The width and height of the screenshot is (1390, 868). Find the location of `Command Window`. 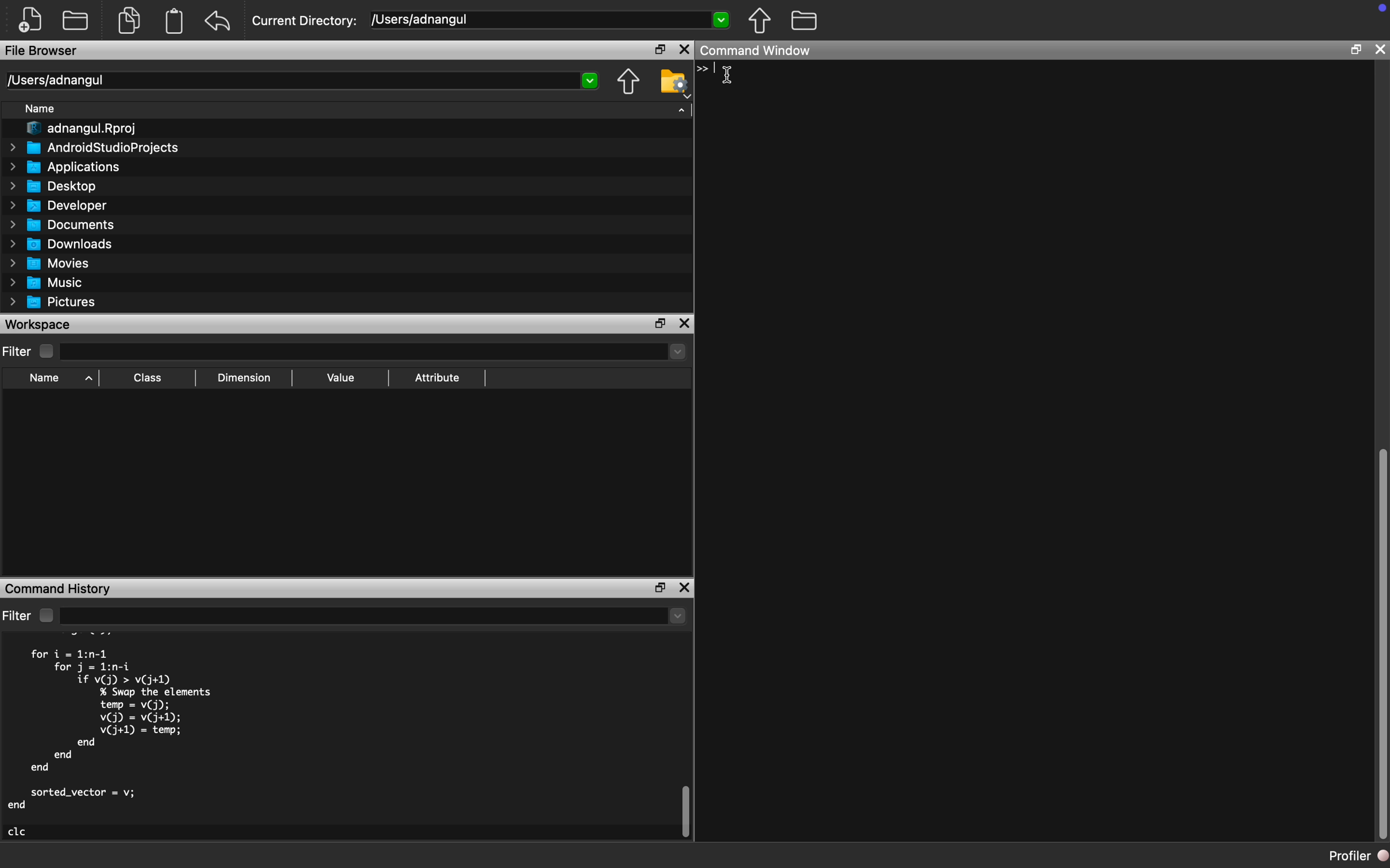

Command Window is located at coordinates (756, 50).